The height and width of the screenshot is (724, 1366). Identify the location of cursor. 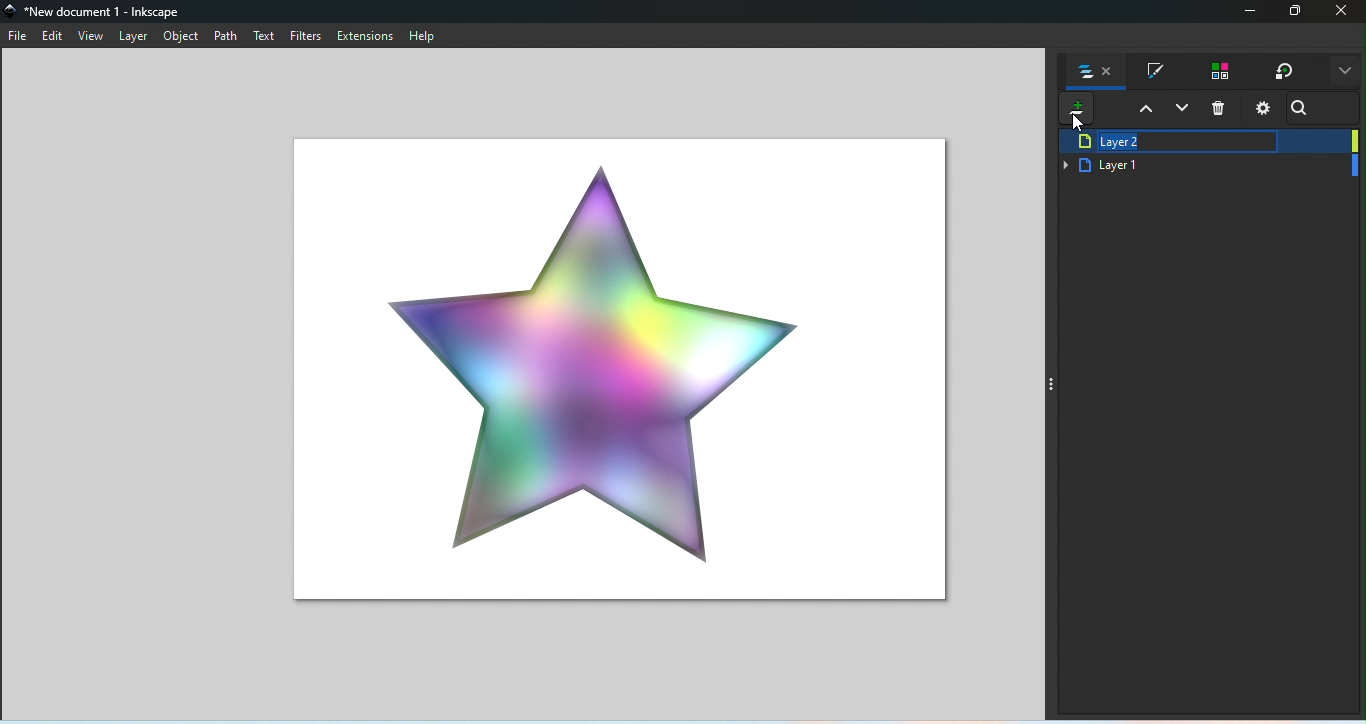
(1078, 122).